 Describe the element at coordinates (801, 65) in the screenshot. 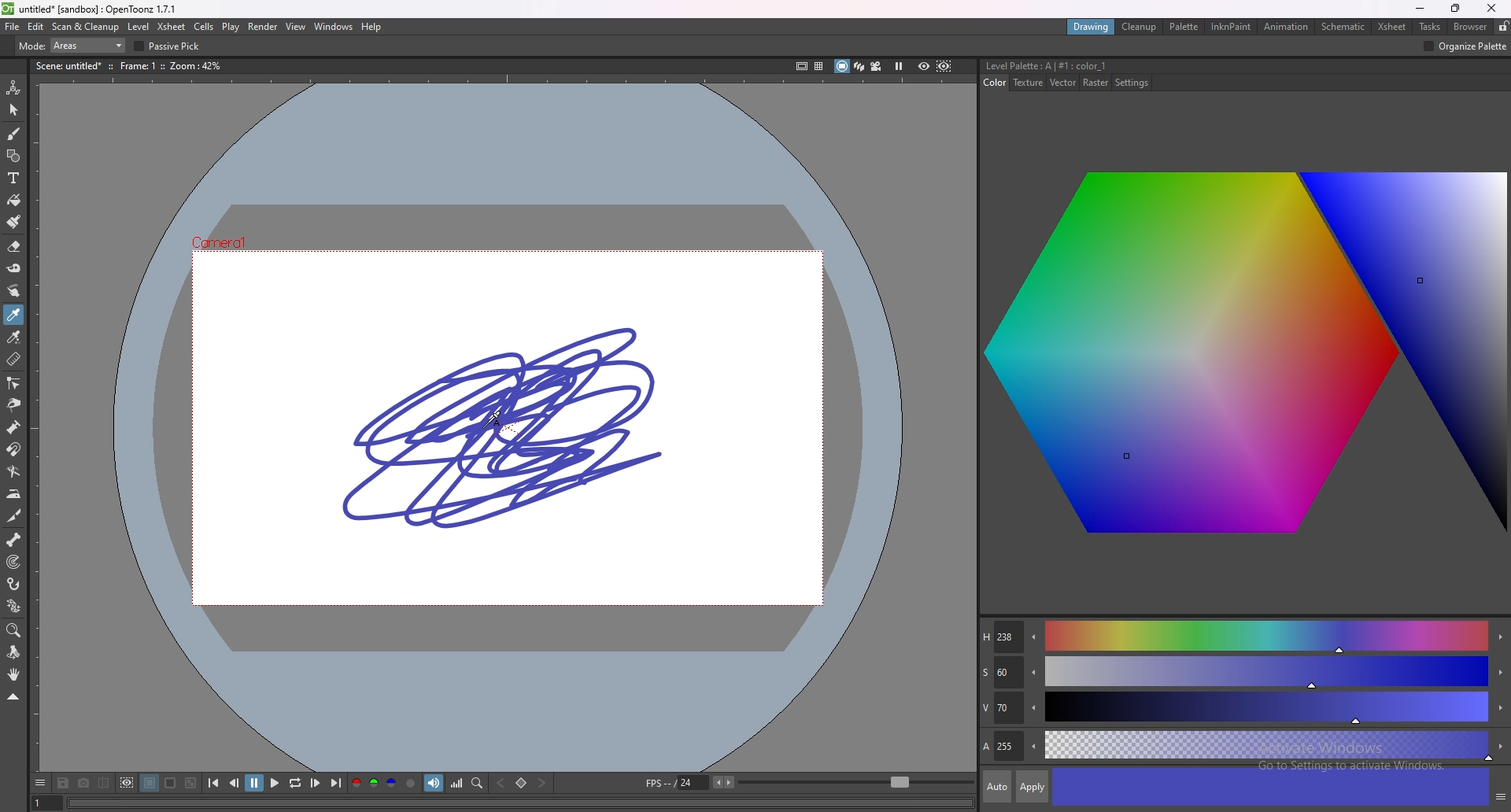

I see `safe area` at that location.